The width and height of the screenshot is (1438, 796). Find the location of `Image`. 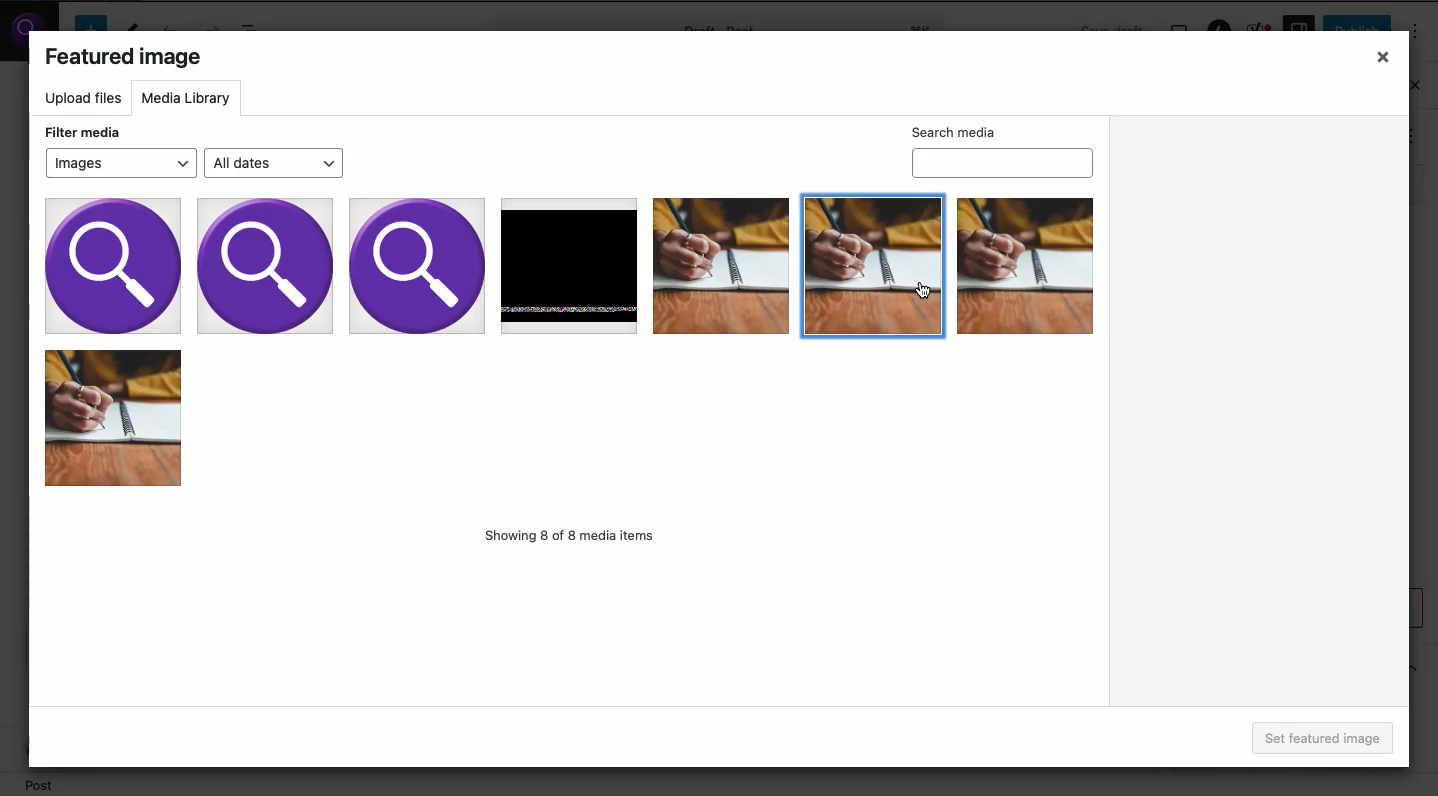

Image is located at coordinates (114, 418).